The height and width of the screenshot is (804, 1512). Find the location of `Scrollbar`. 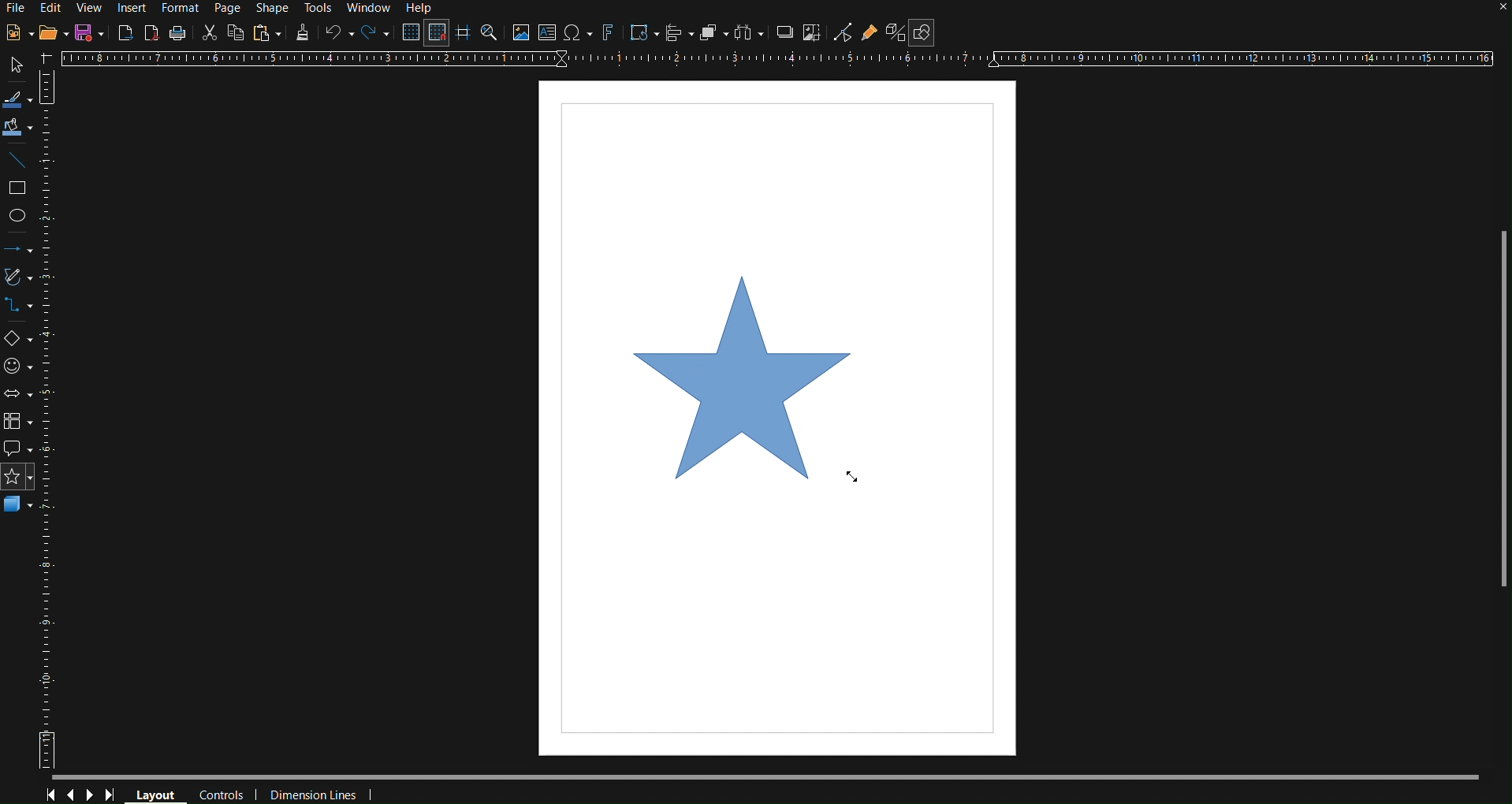

Scrollbar is located at coordinates (1494, 400).